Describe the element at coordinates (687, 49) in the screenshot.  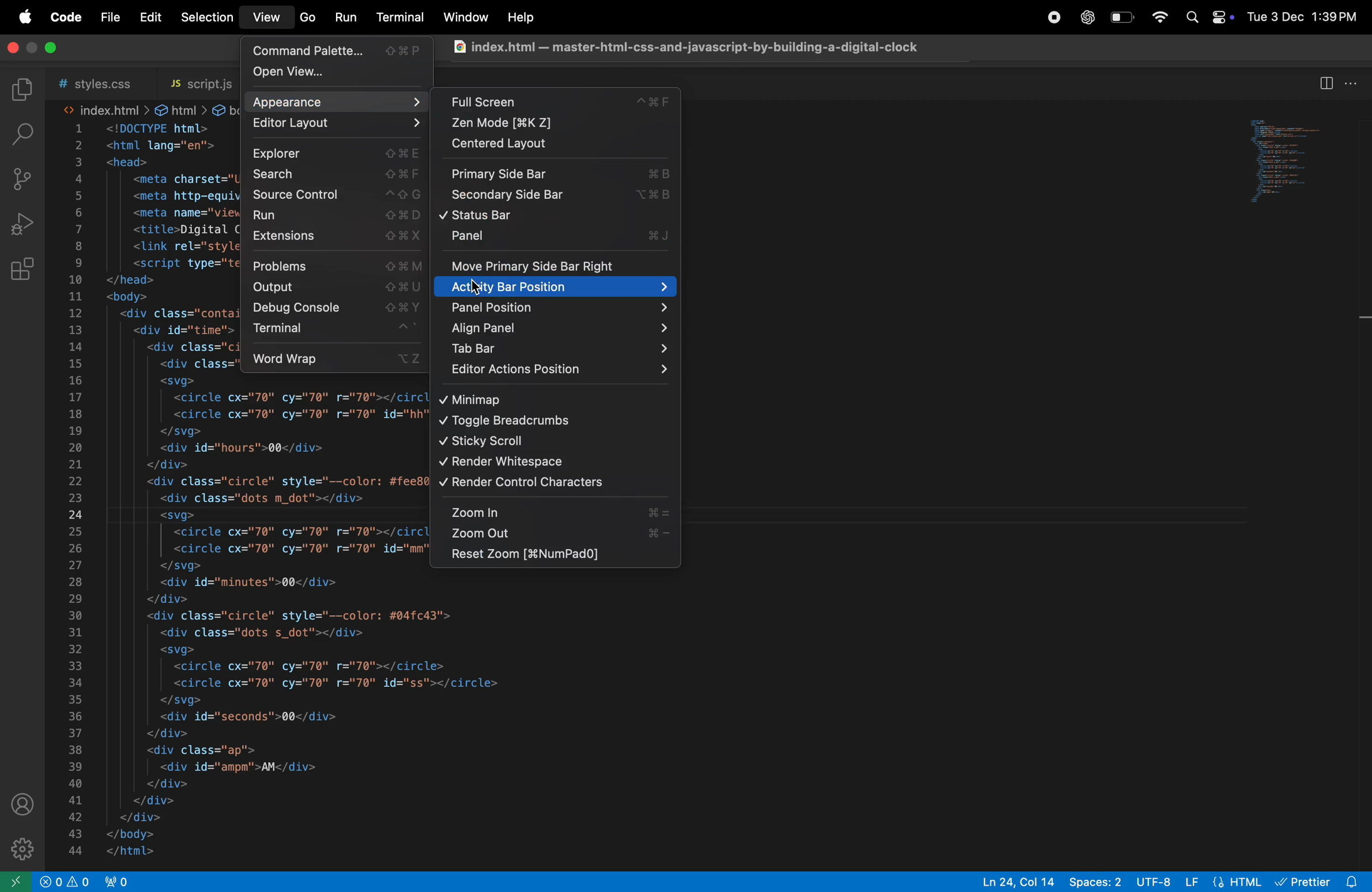
I see `chrome file index .html` at that location.